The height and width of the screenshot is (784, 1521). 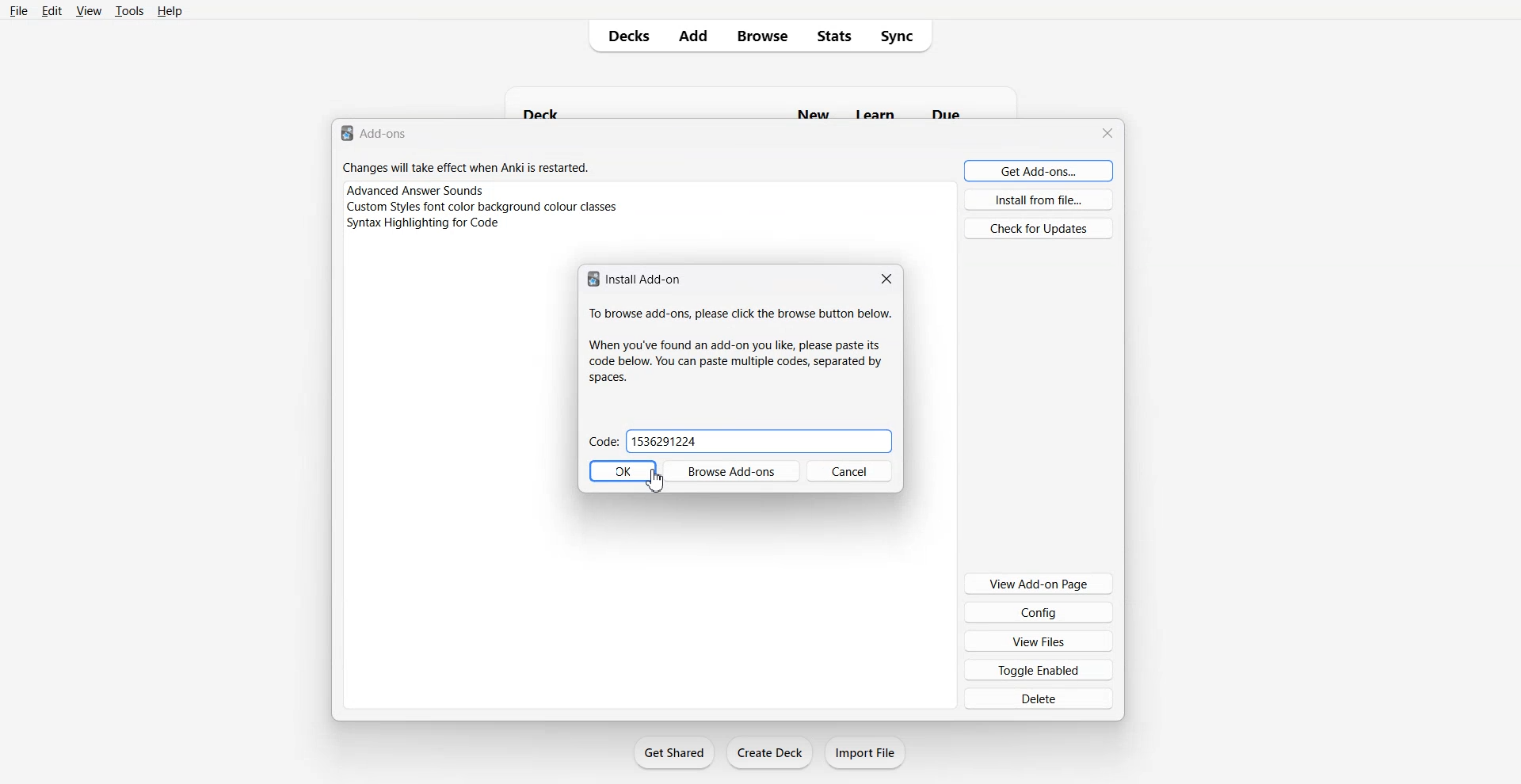 I want to click on Plugins, so click(x=649, y=189).